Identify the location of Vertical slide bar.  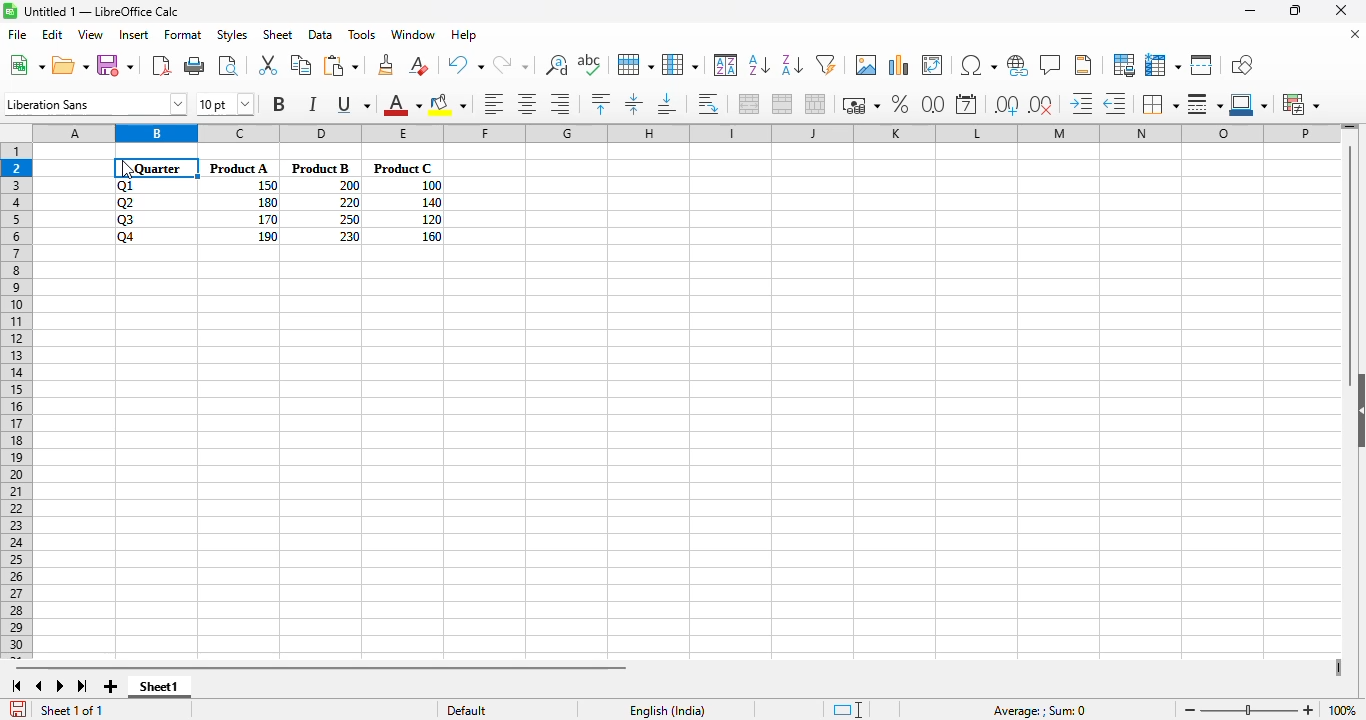
(1350, 255).